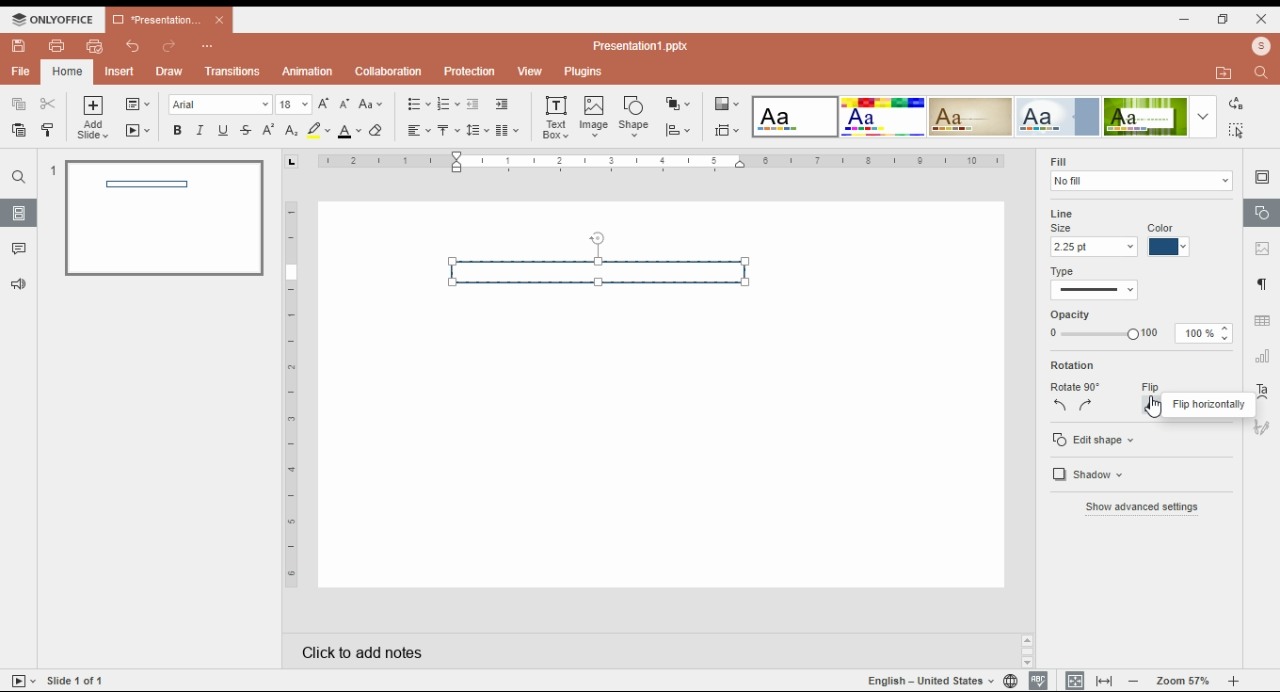  Describe the element at coordinates (291, 131) in the screenshot. I see `subscript` at that location.